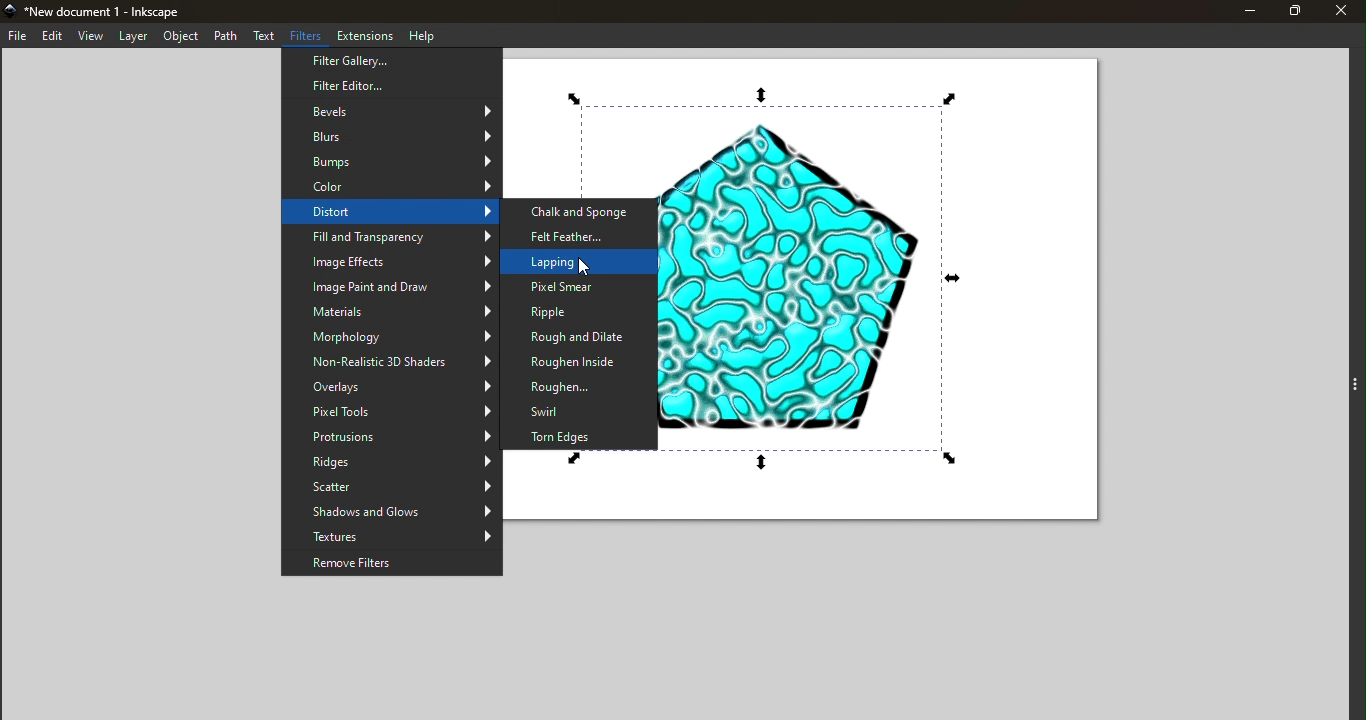 Image resolution: width=1366 pixels, height=720 pixels. I want to click on Shadows and Glows, so click(391, 512).